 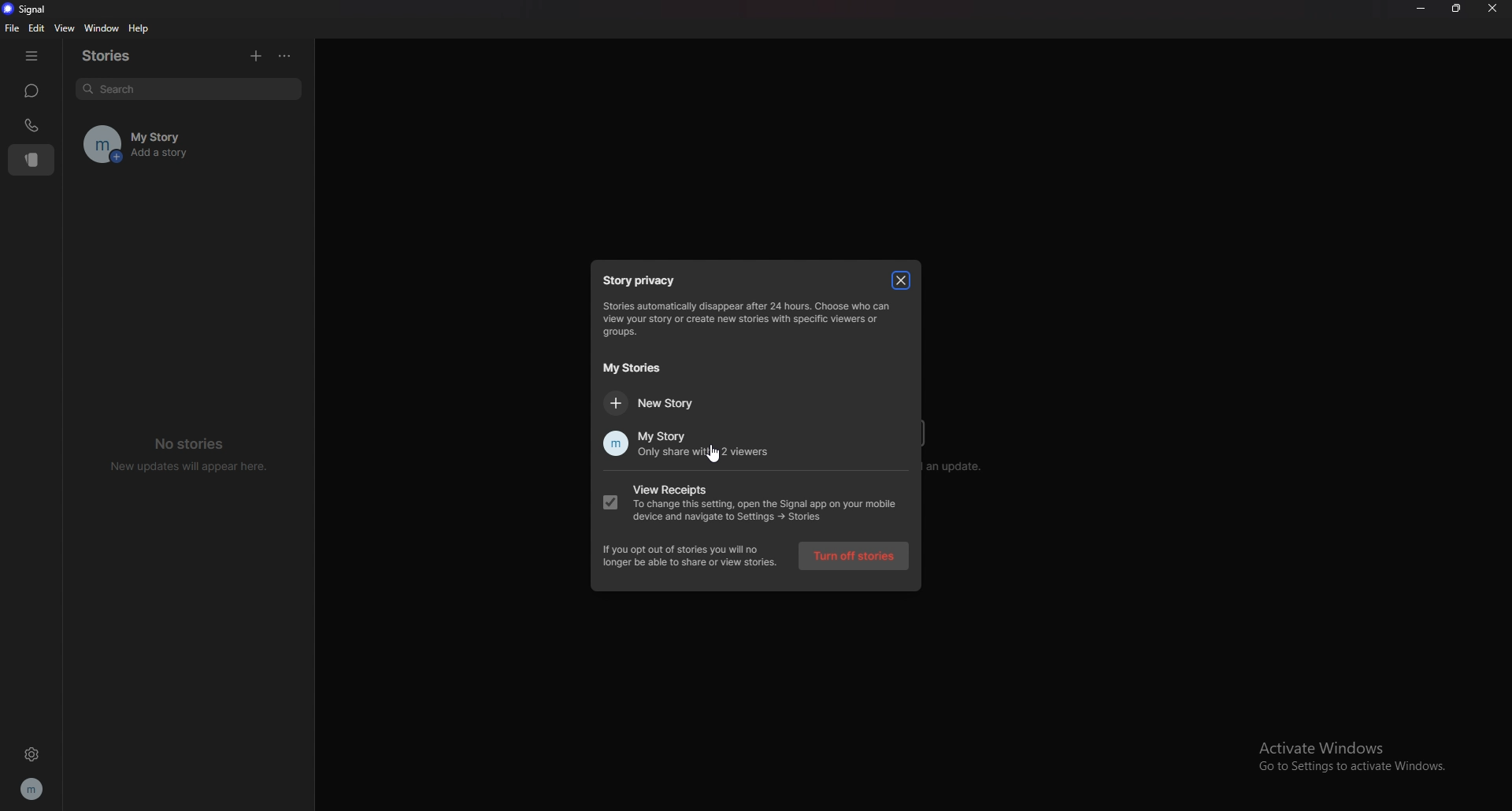 I want to click on new story, so click(x=655, y=403).